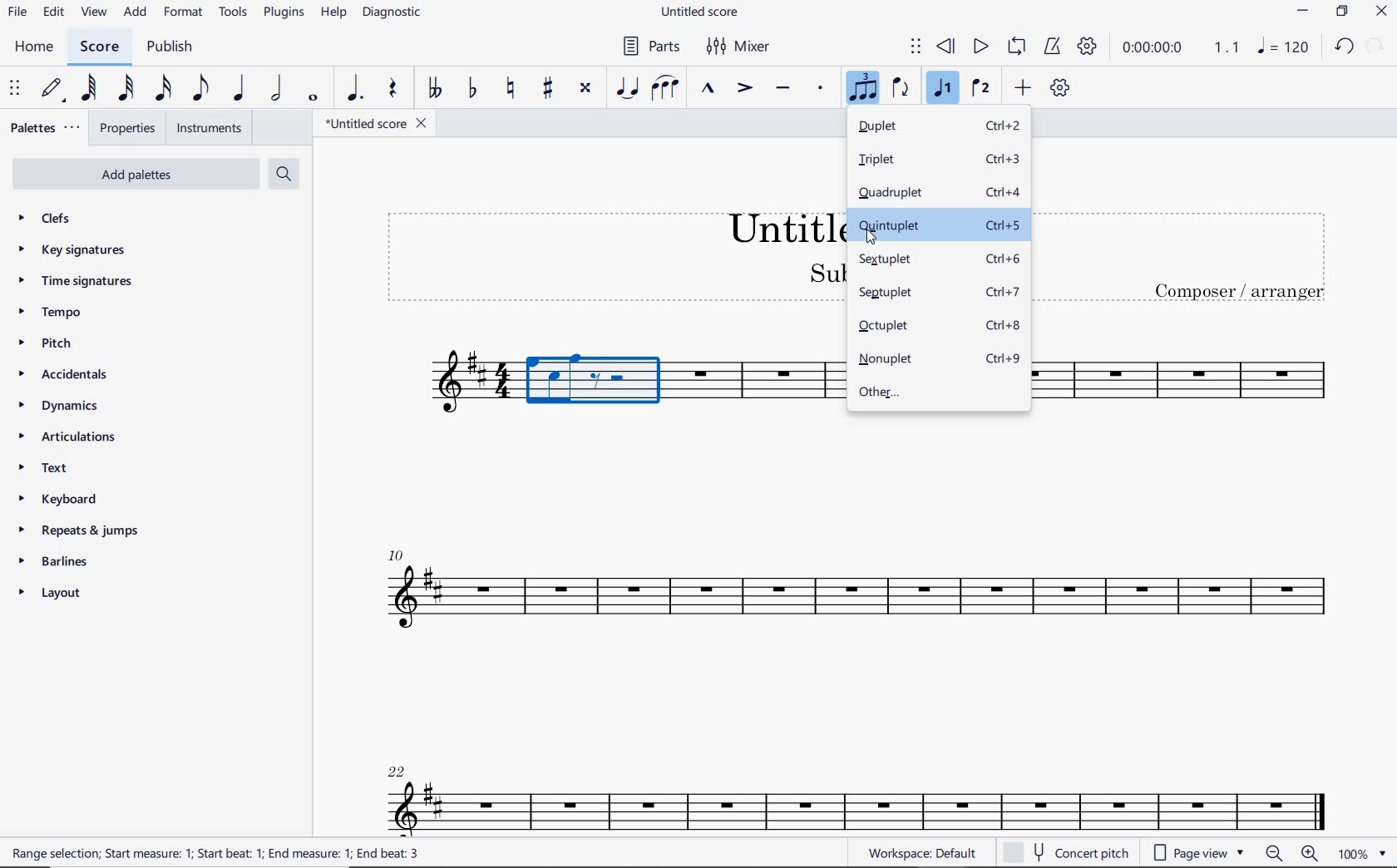 The height and width of the screenshot is (868, 1397). What do you see at coordinates (585, 87) in the screenshot?
I see `TOGGLE DOUBLE-SHARP` at bounding box center [585, 87].